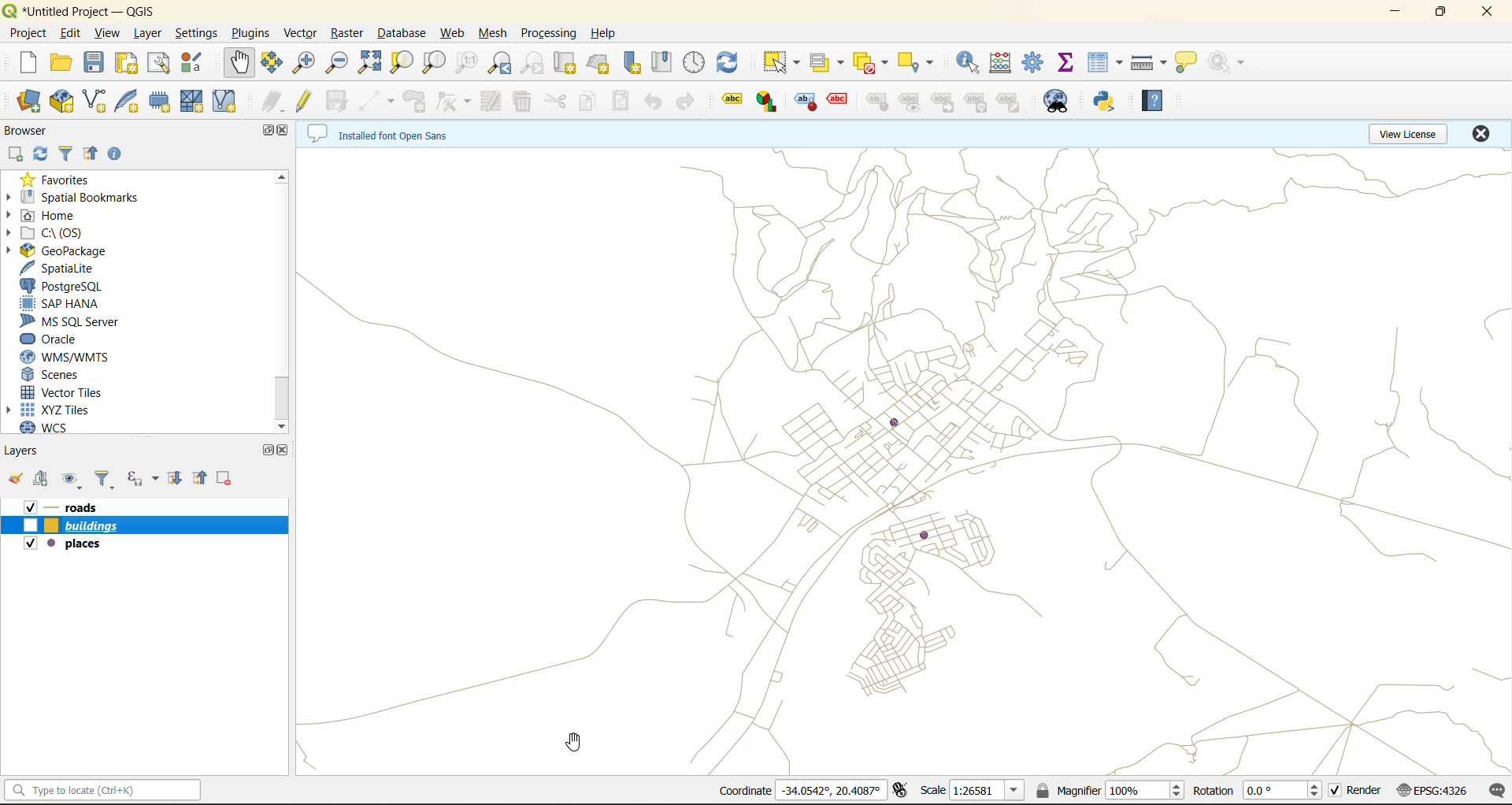 The height and width of the screenshot is (805, 1512). Describe the element at coordinates (62, 216) in the screenshot. I see `home` at that location.